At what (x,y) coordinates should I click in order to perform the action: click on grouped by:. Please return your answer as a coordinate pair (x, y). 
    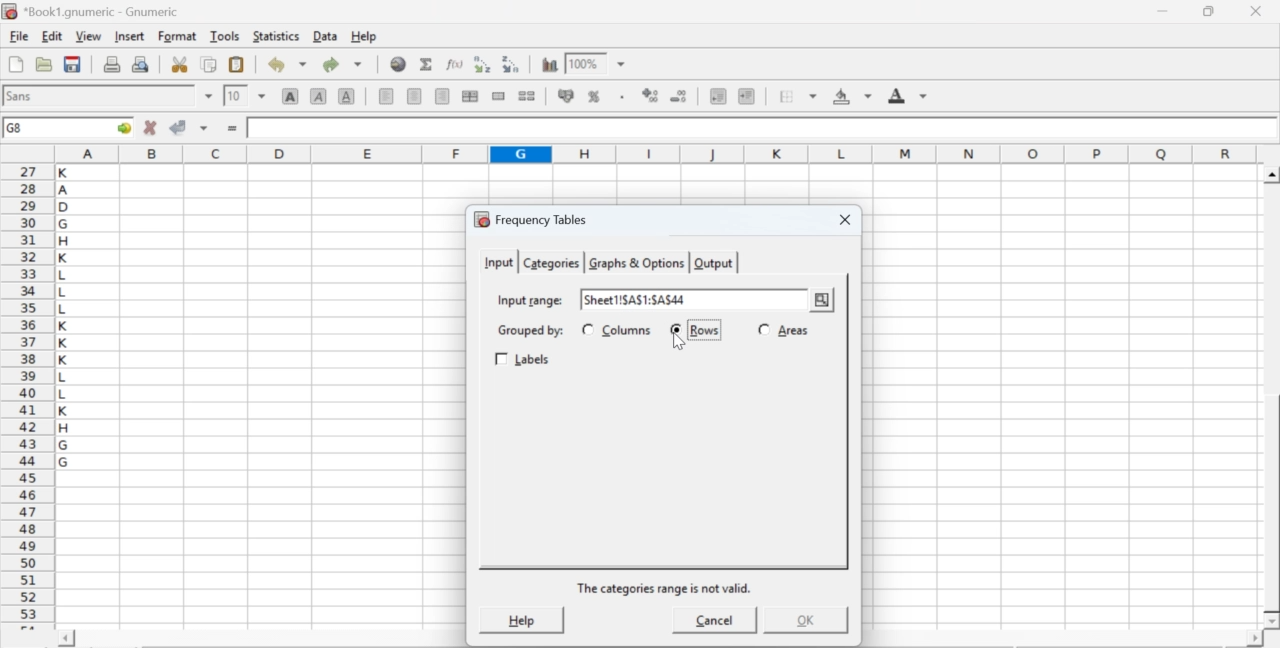
    Looking at the image, I should click on (529, 331).